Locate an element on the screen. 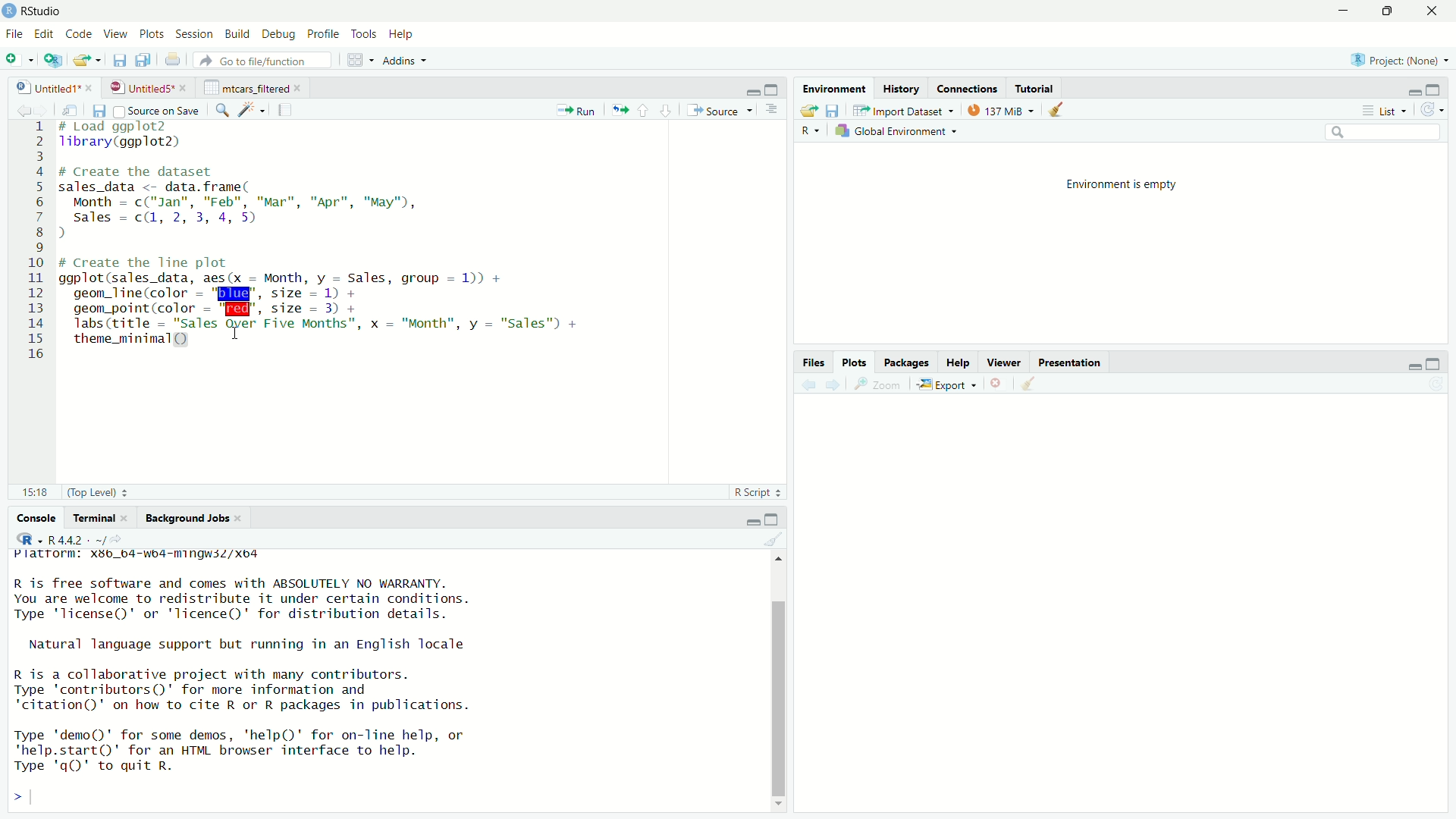 The width and height of the screenshot is (1456, 819). refresh is located at coordinates (1435, 109).